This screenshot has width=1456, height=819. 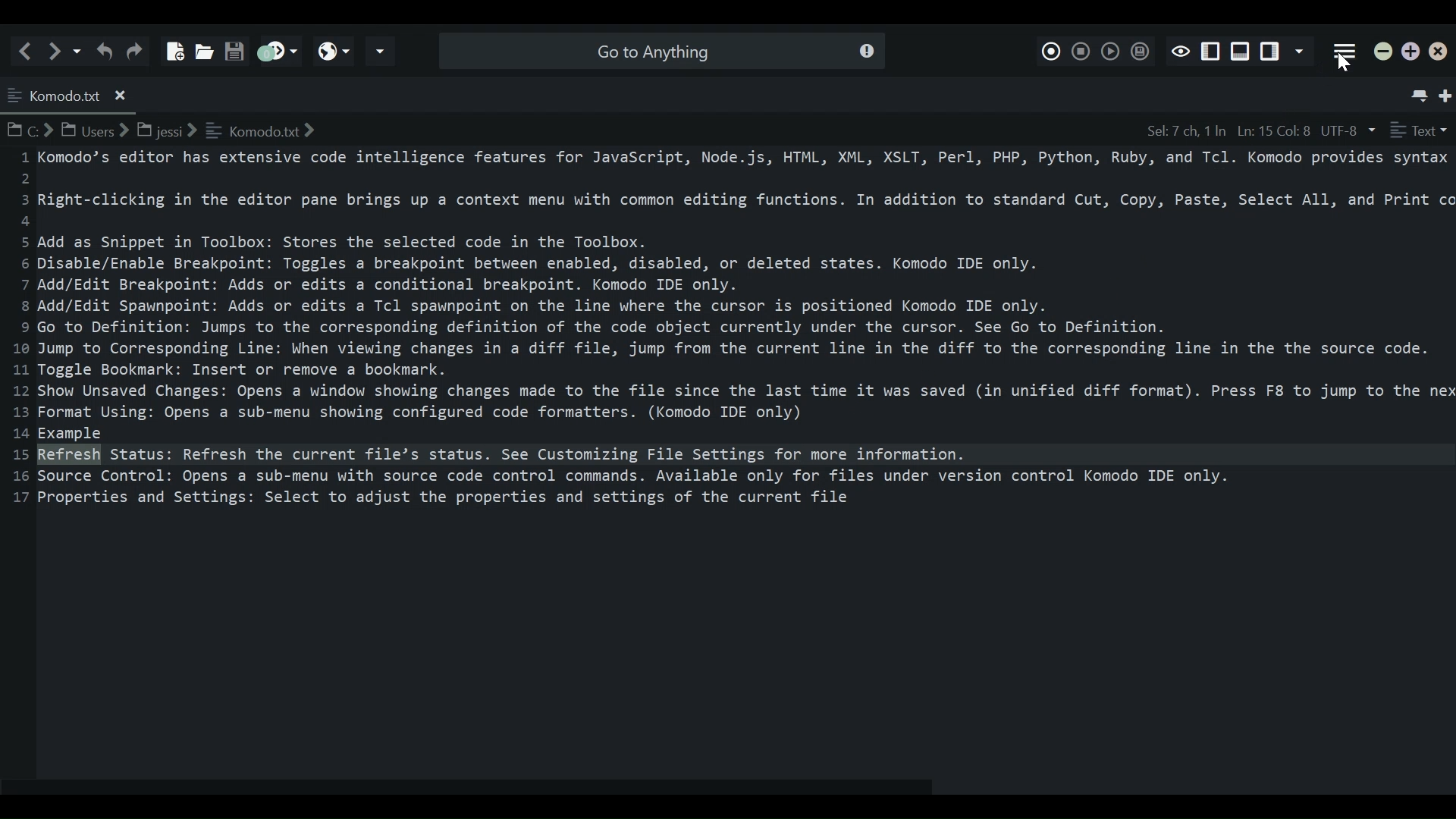 What do you see at coordinates (29, 50) in the screenshot?
I see `Go back one location ` at bounding box center [29, 50].